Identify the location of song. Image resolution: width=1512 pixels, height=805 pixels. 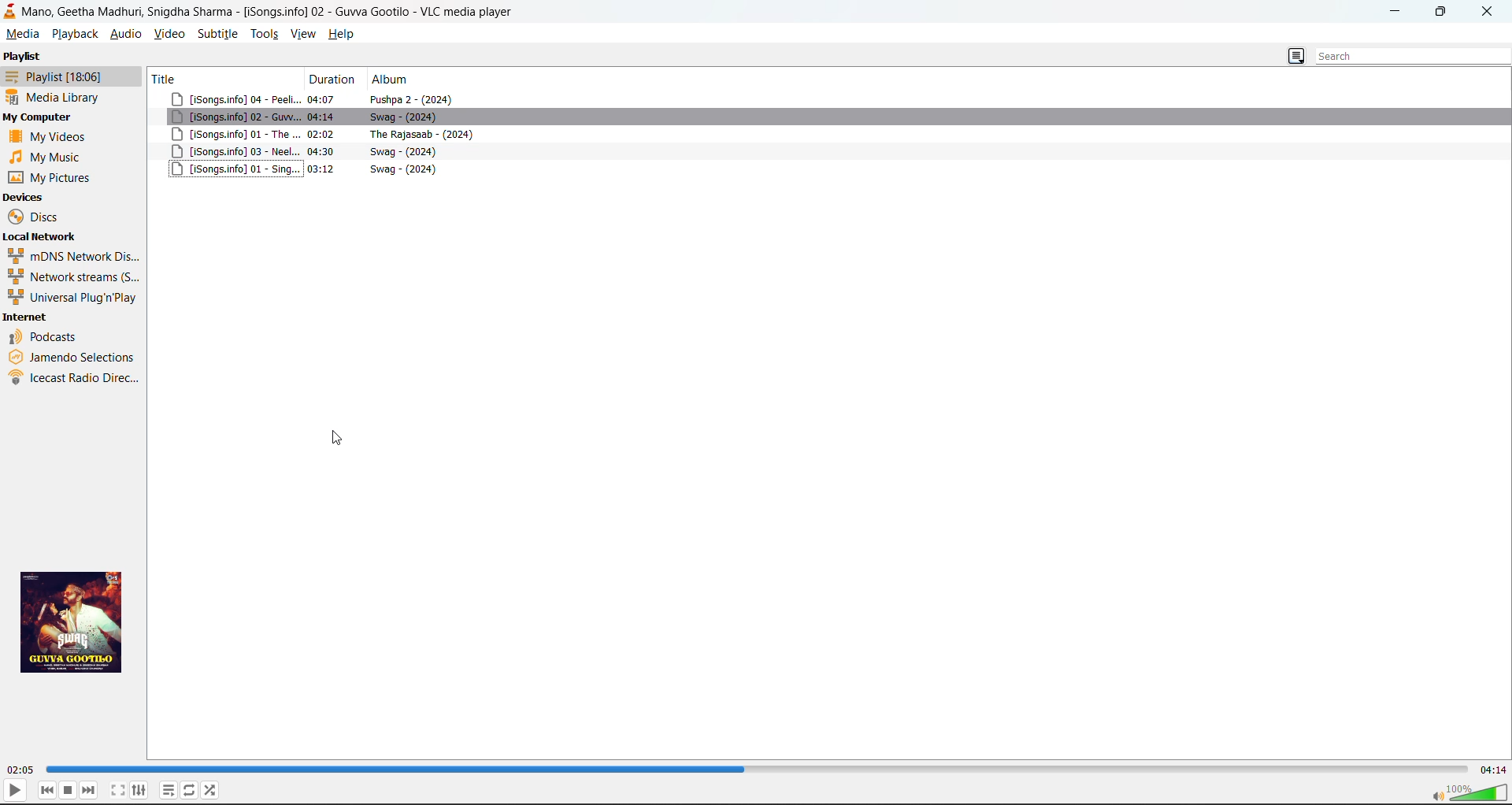
(833, 99).